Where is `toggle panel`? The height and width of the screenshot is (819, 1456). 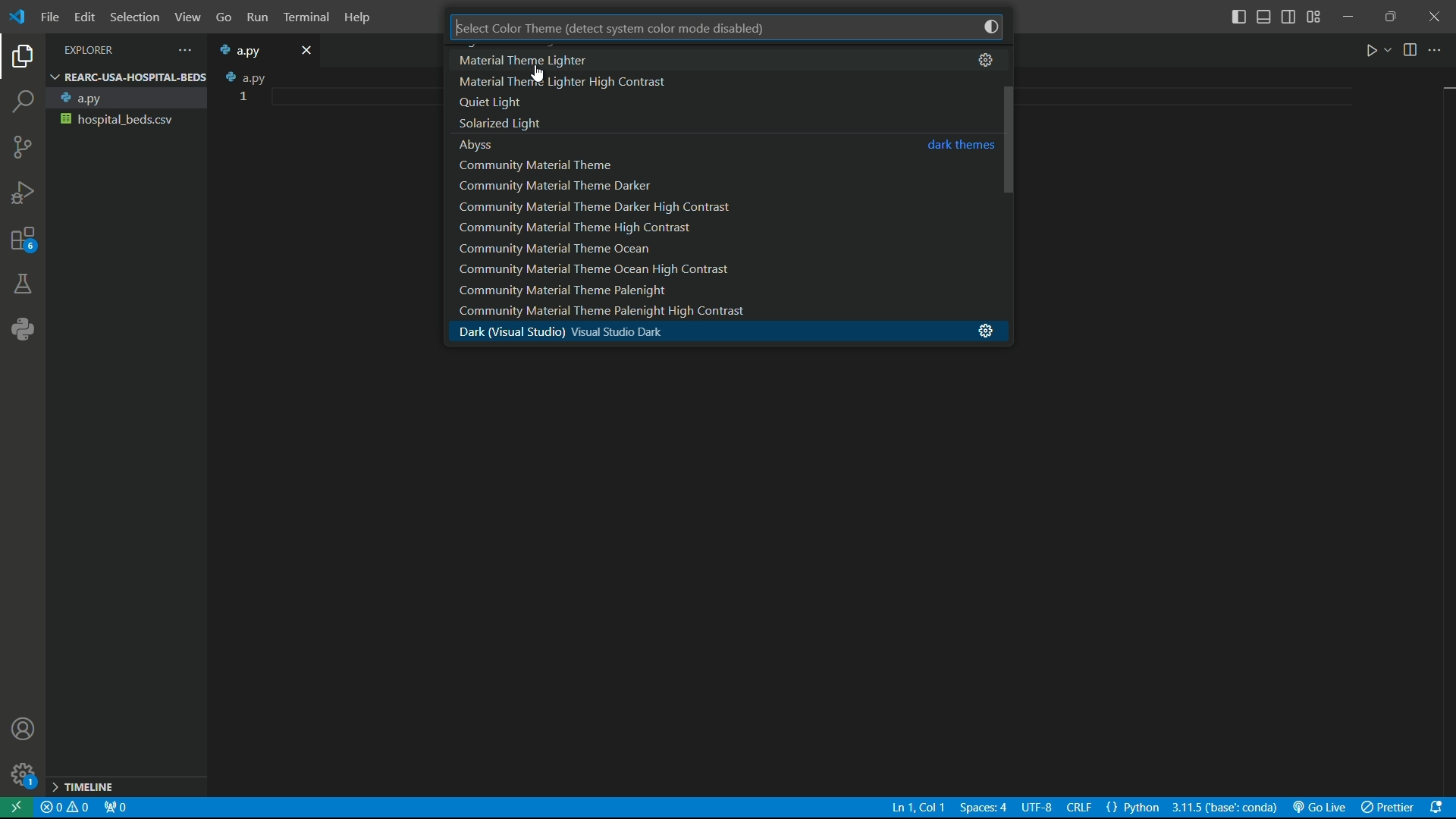 toggle panel is located at coordinates (1263, 17).